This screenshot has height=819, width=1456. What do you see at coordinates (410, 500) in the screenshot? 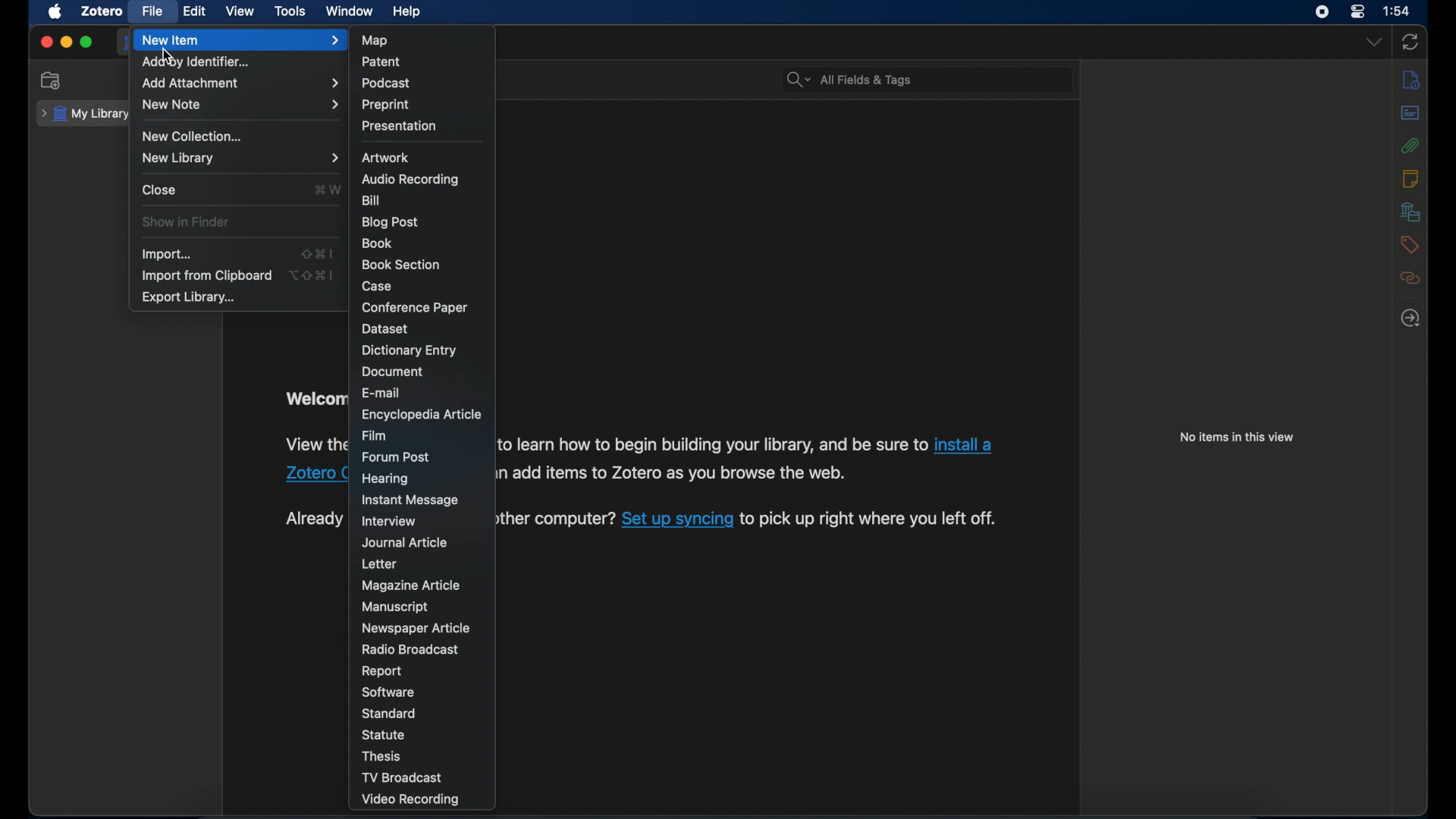
I see `instant message` at bounding box center [410, 500].